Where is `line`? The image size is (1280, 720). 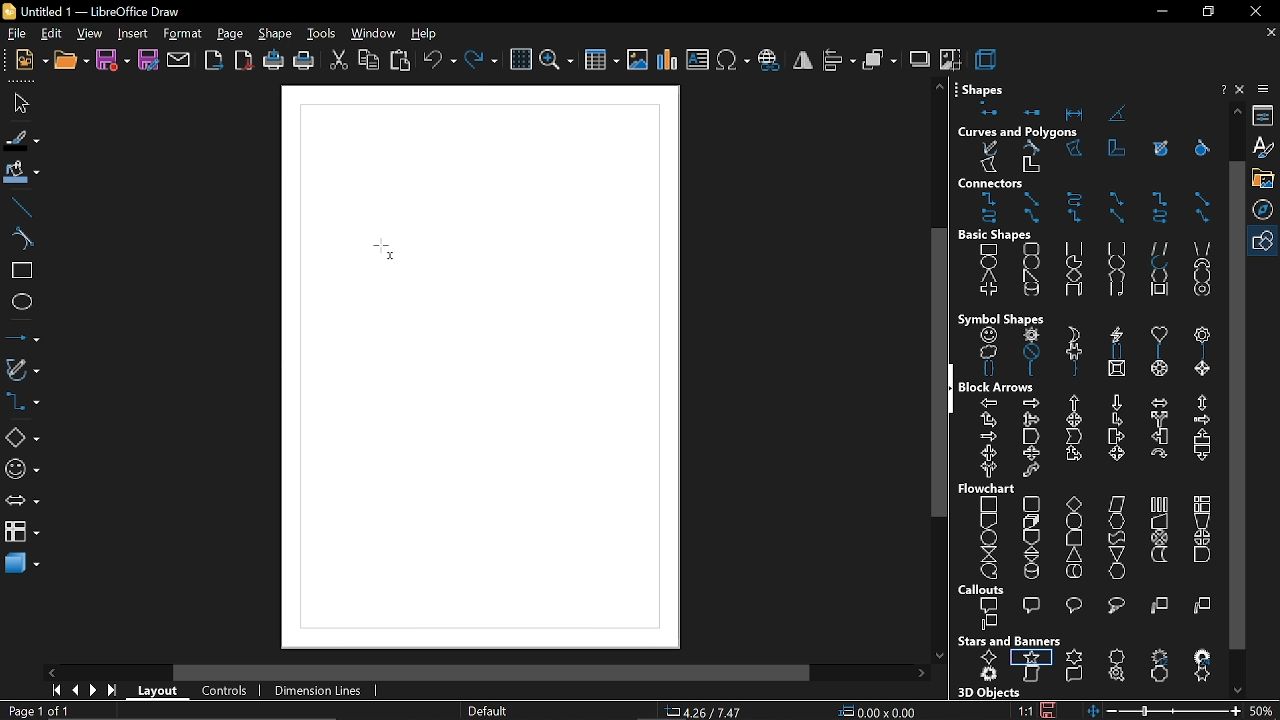
line is located at coordinates (21, 206).